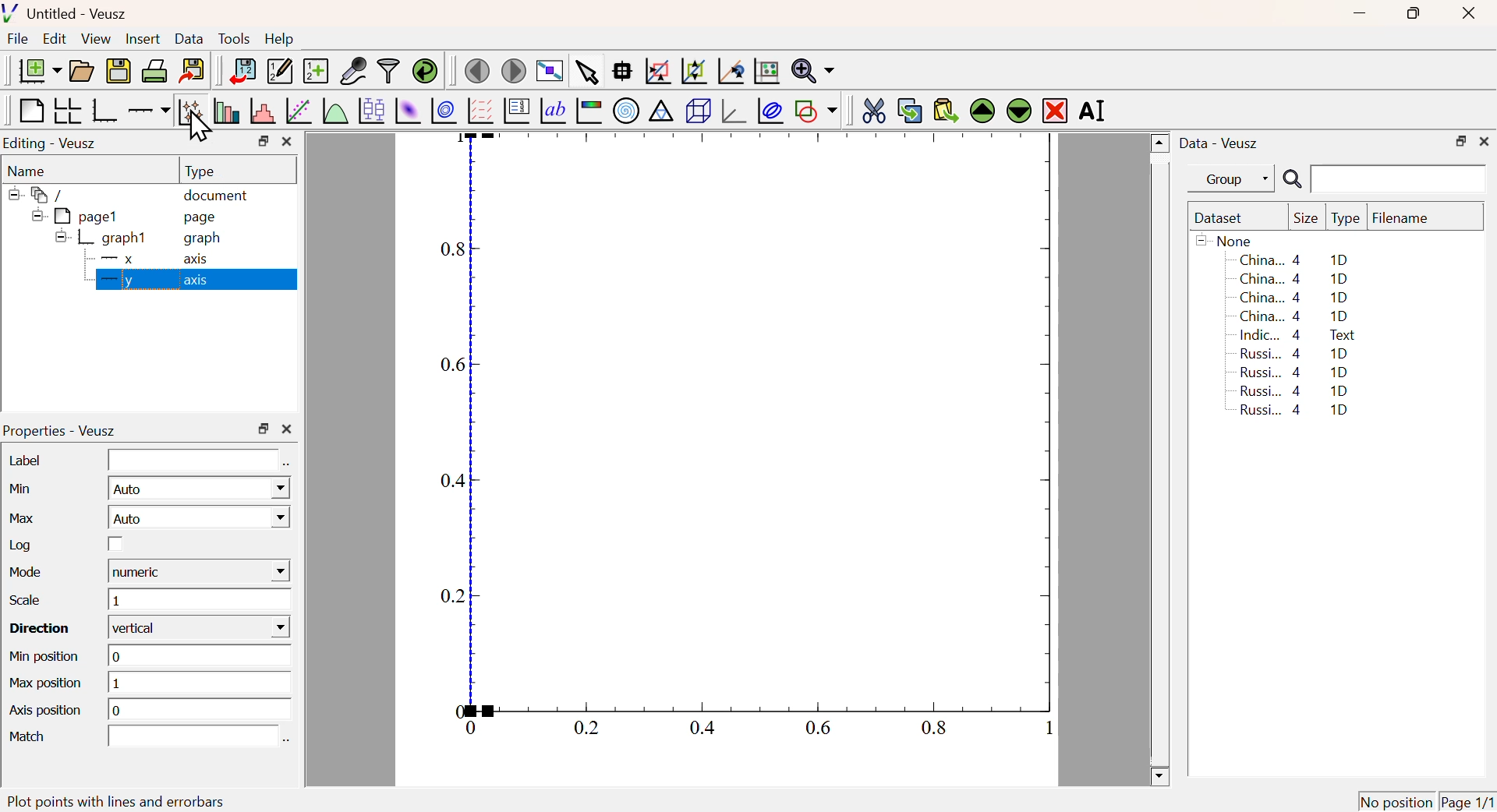  I want to click on Input, so click(192, 736).